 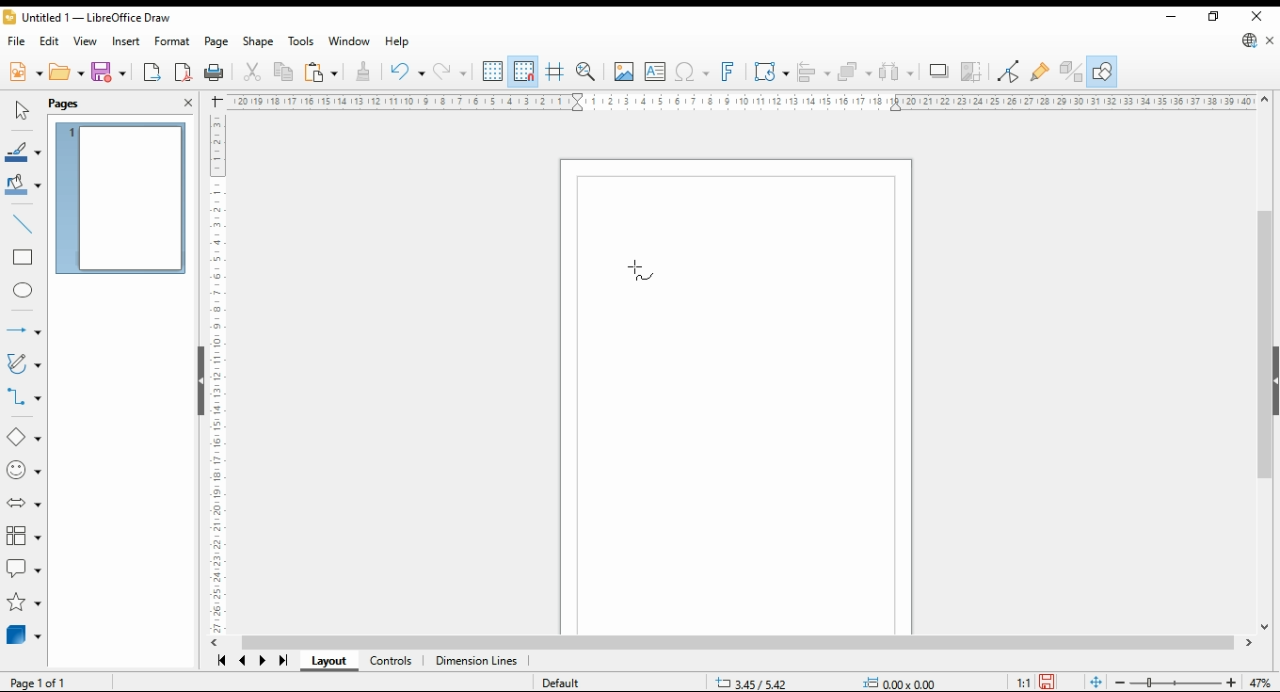 I want to click on arrange, so click(x=854, y=71).